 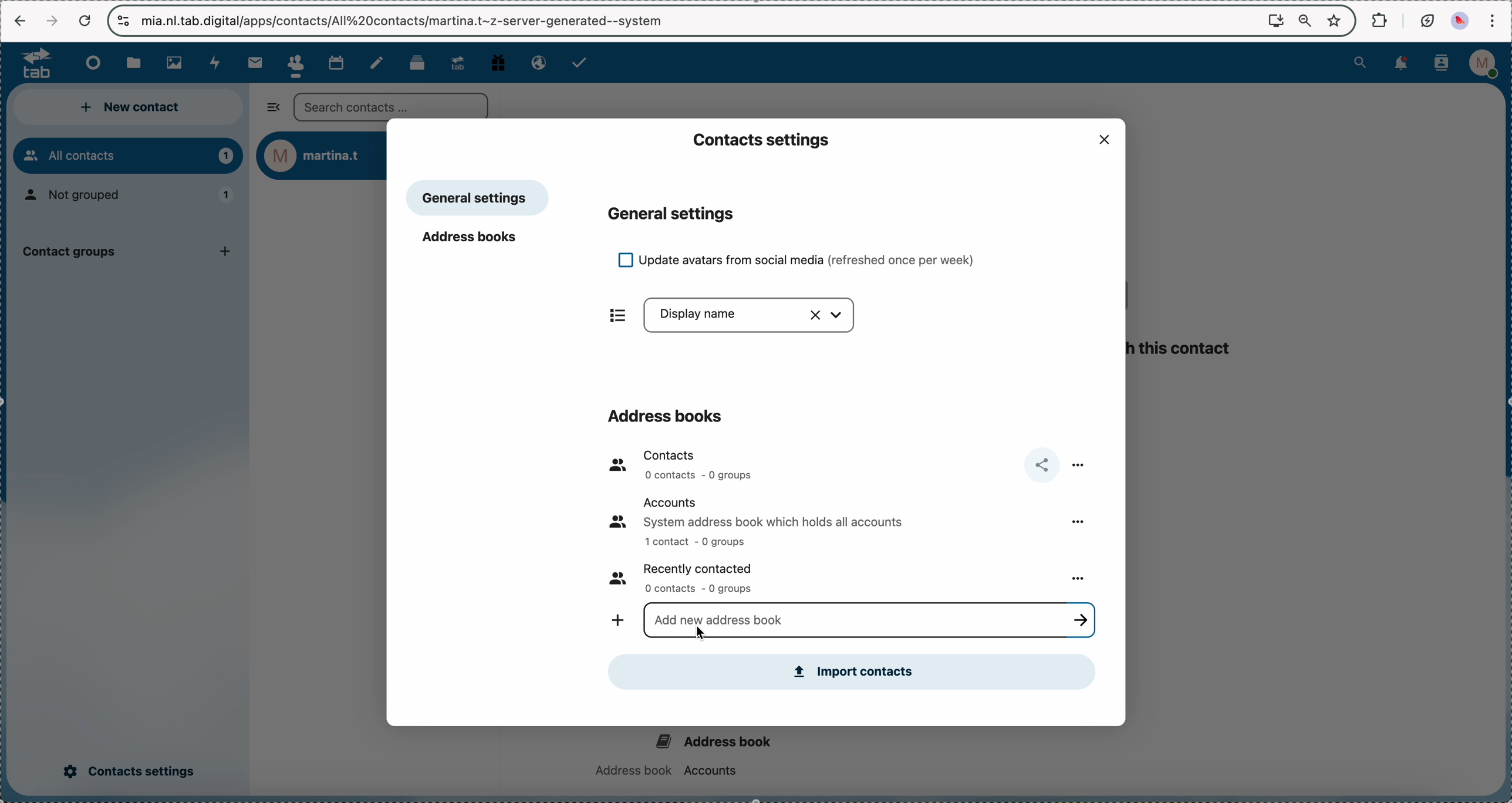 What do you see at coordinates (665, 413) in the screenshot?
I see `address books` at bounding box center [665, 413].